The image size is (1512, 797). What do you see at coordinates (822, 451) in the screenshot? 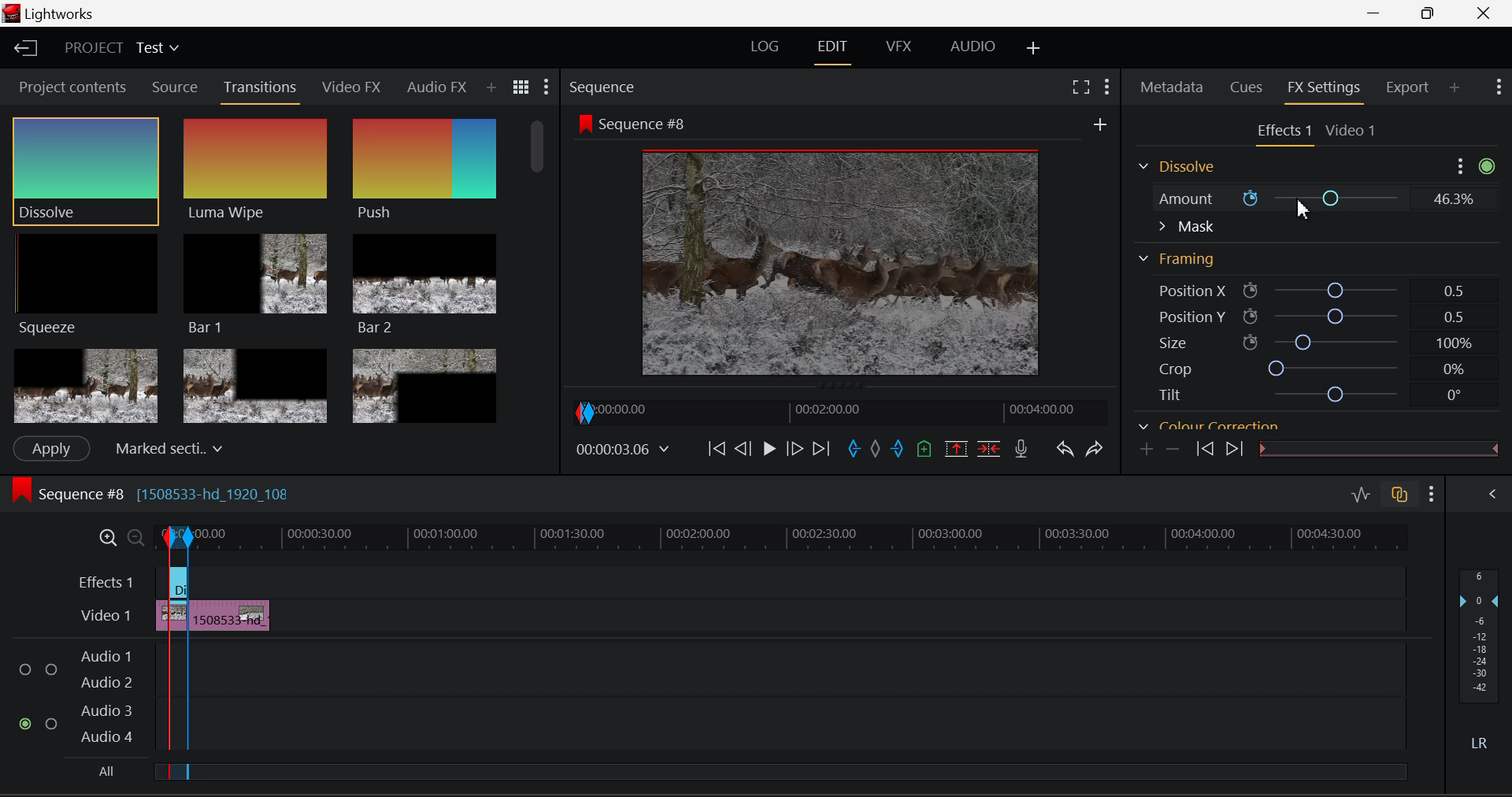
I see `To End` at bounding box center [822, 451].